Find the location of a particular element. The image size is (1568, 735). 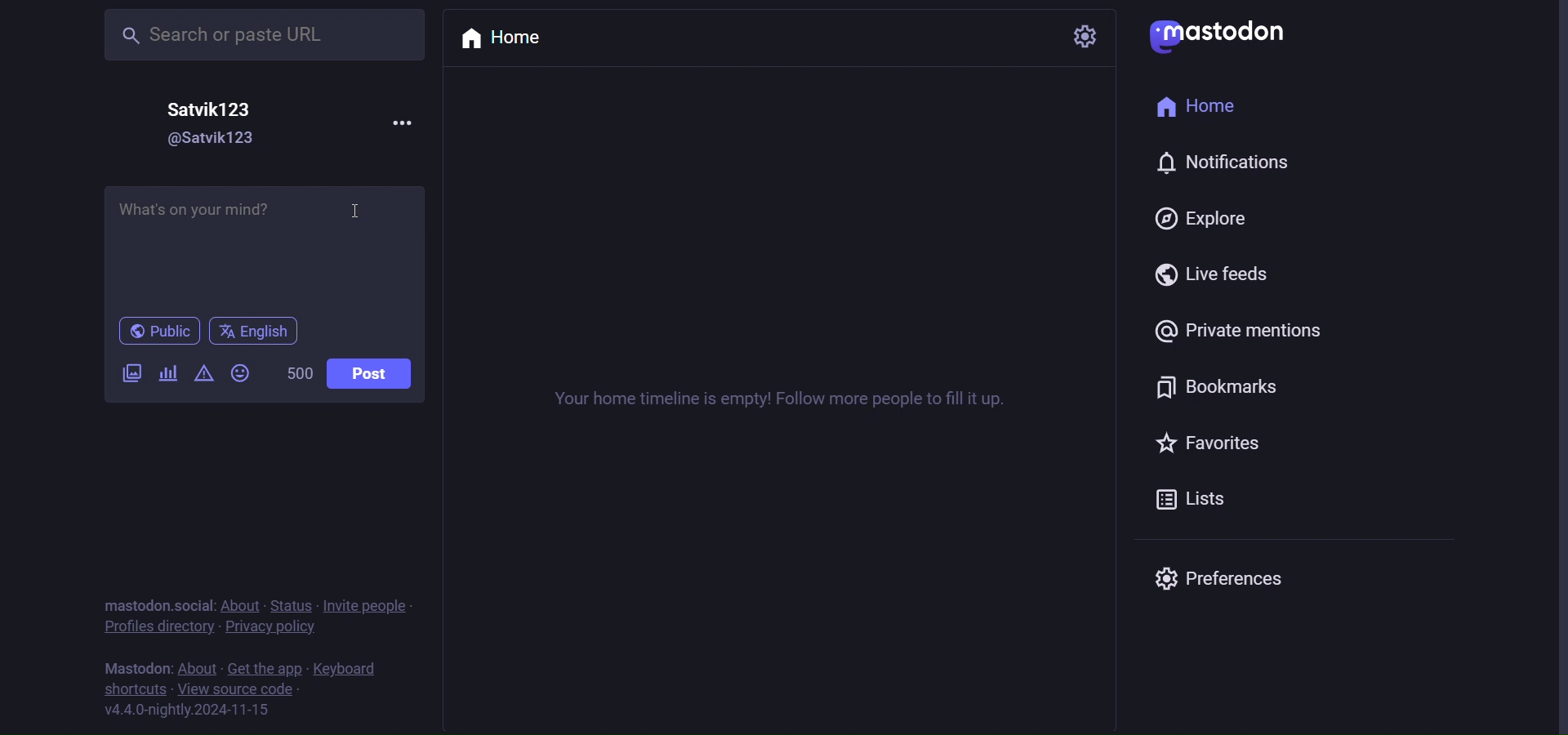

about is located at coordinates (198, 670).